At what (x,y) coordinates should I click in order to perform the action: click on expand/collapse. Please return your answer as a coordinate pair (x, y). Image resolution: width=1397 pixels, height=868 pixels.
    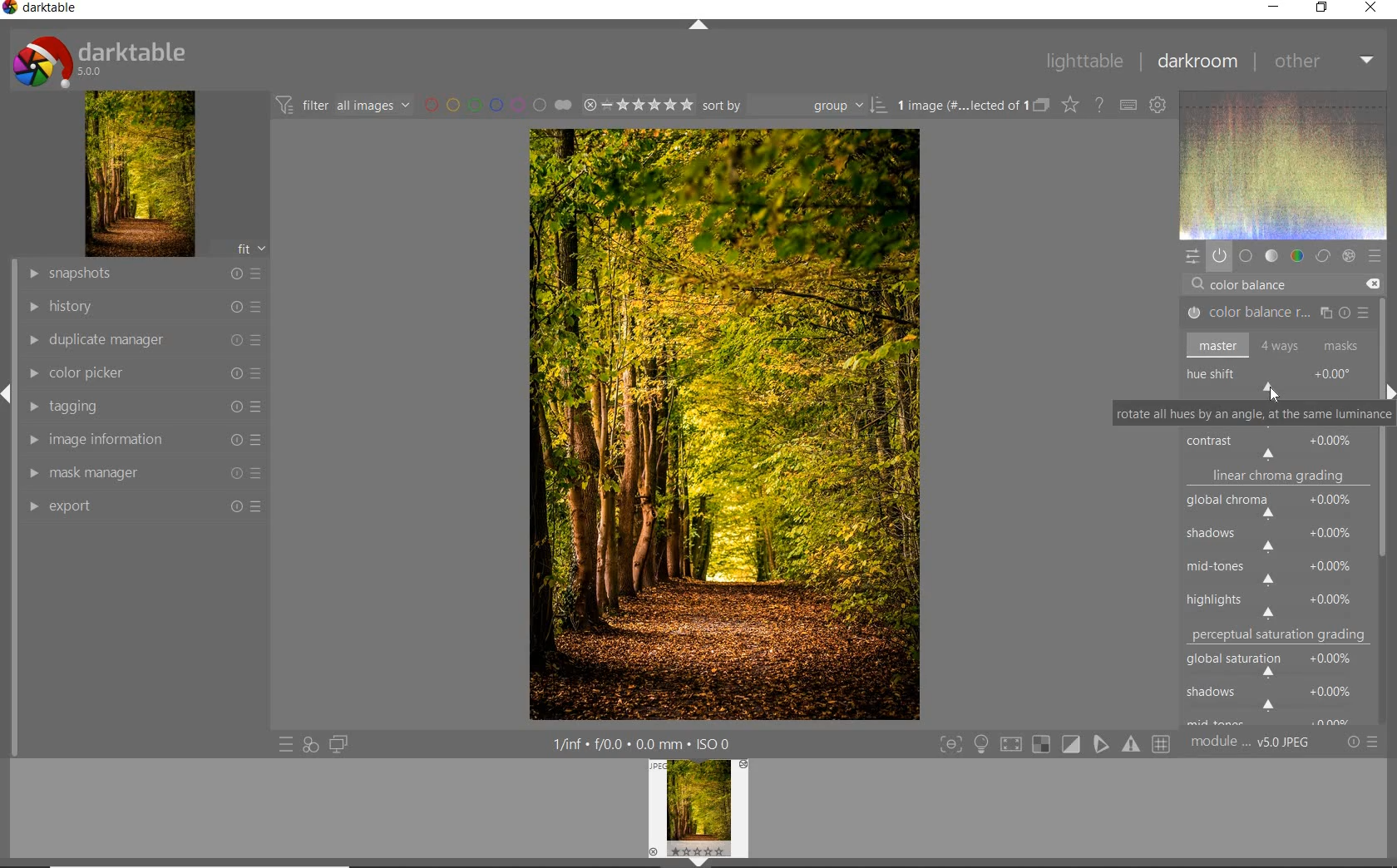
    Looking at the image, I should click on (1389, 388).